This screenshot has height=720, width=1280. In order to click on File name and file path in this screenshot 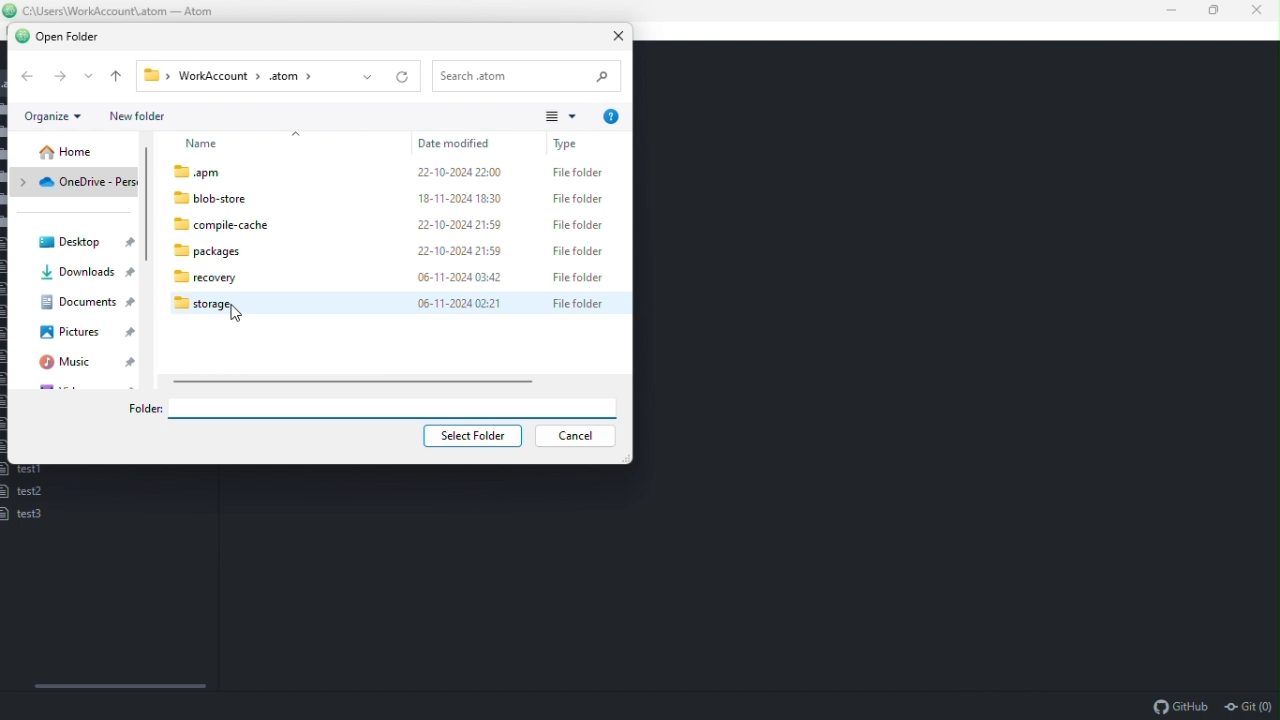, I will do `click(112, 9)`.